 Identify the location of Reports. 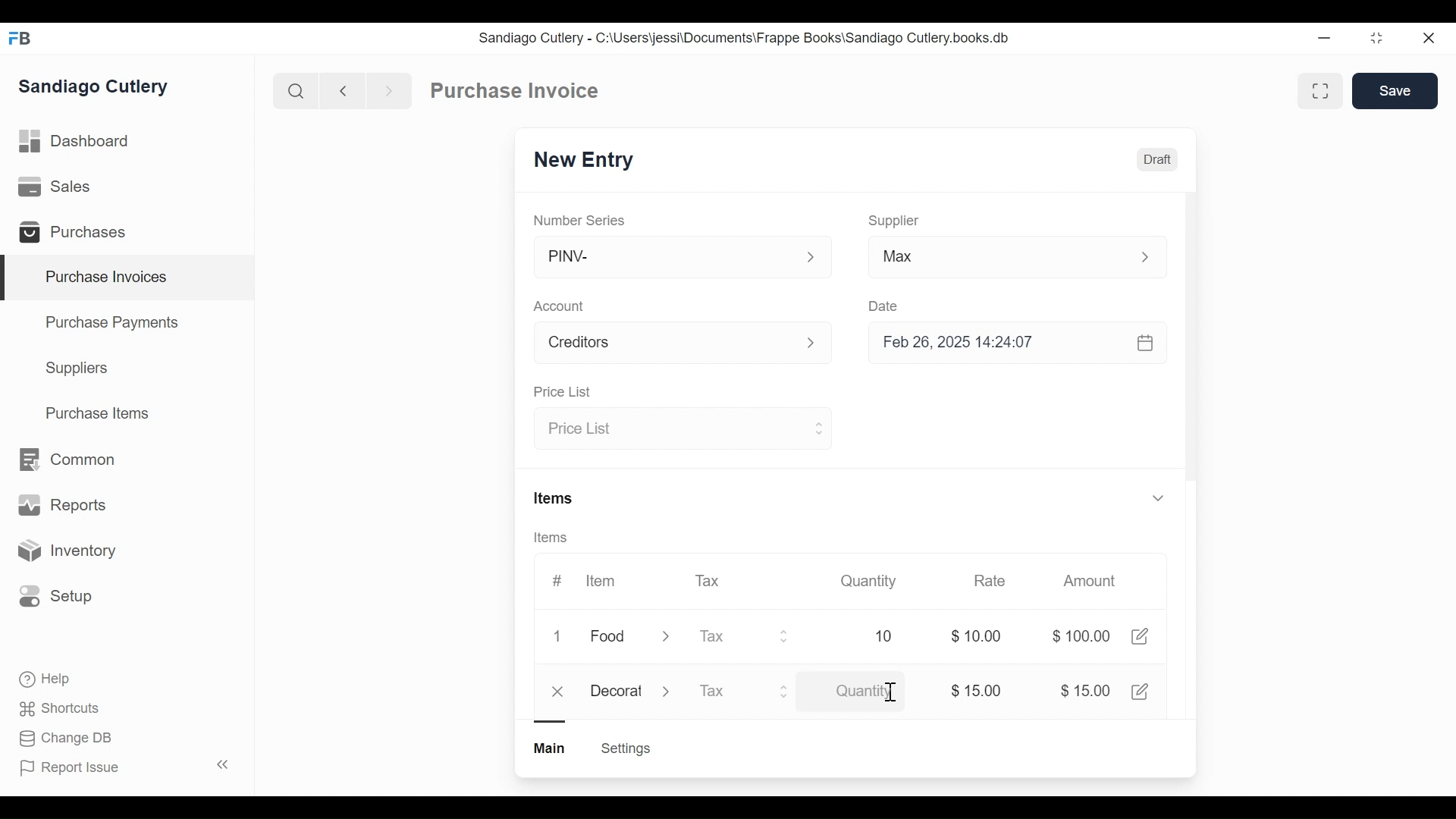
(62, 508).